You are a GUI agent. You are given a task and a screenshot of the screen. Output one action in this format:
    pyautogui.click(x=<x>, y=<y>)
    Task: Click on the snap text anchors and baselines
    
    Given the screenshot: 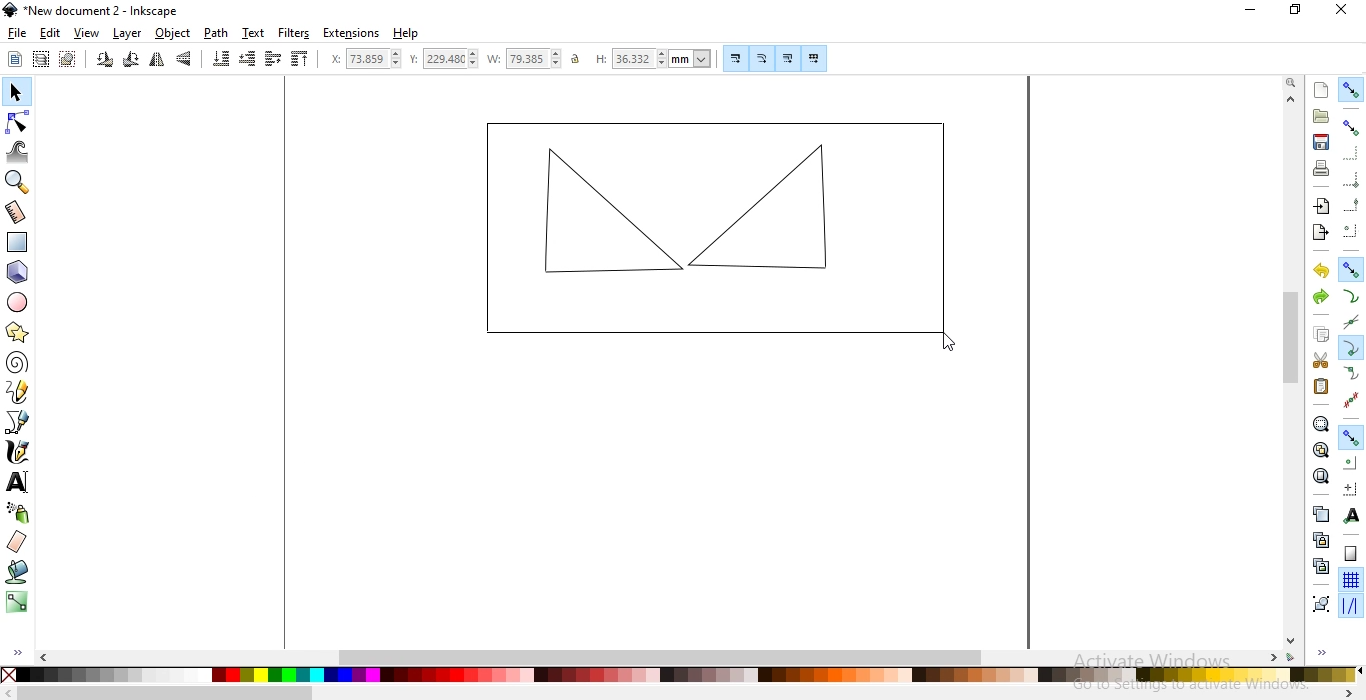 What is the action you would take?
    pyautogui.click(x=1353, y=514)
    